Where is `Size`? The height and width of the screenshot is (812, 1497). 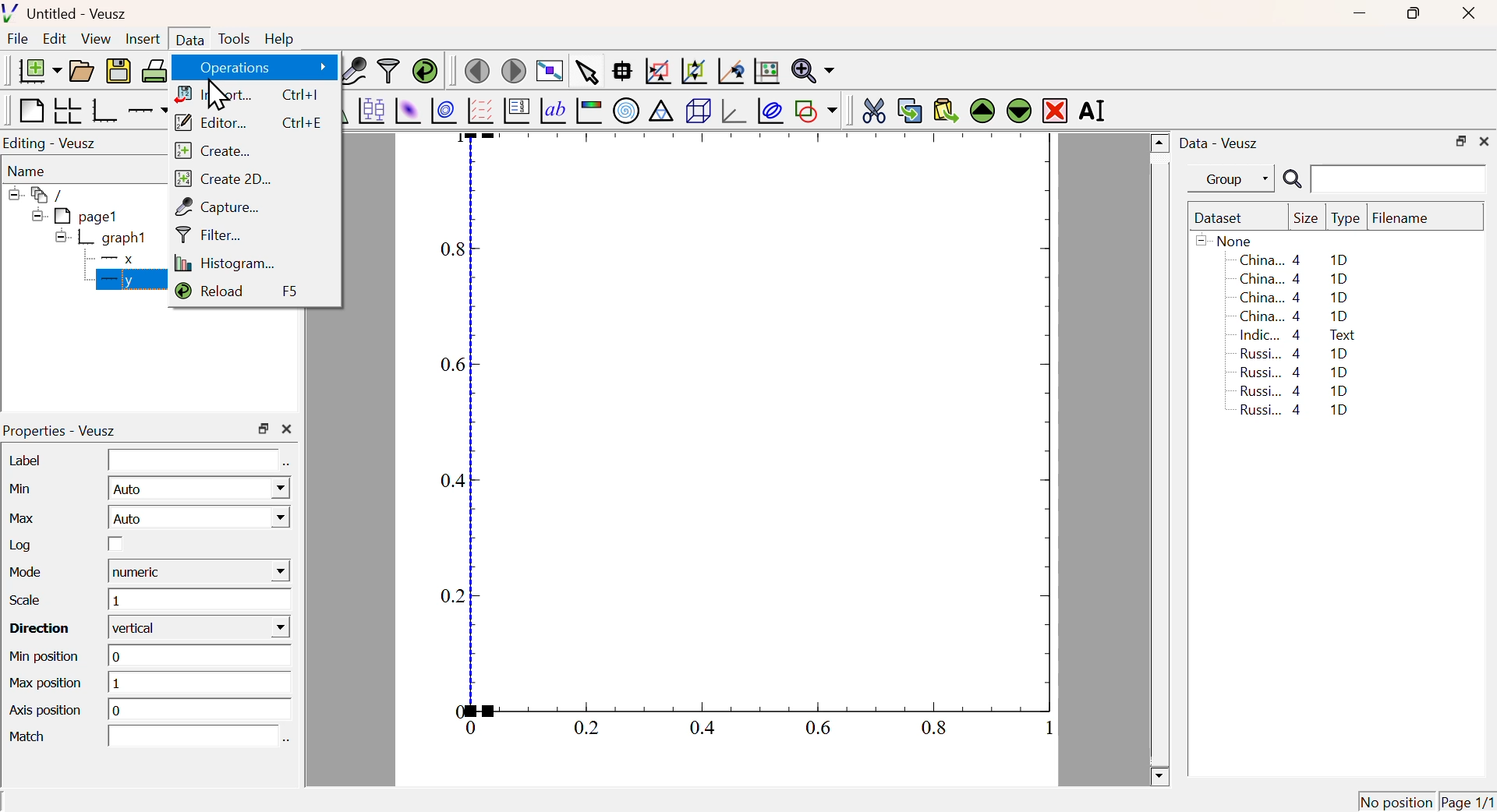 Size is located at coordinates (1306, 219).